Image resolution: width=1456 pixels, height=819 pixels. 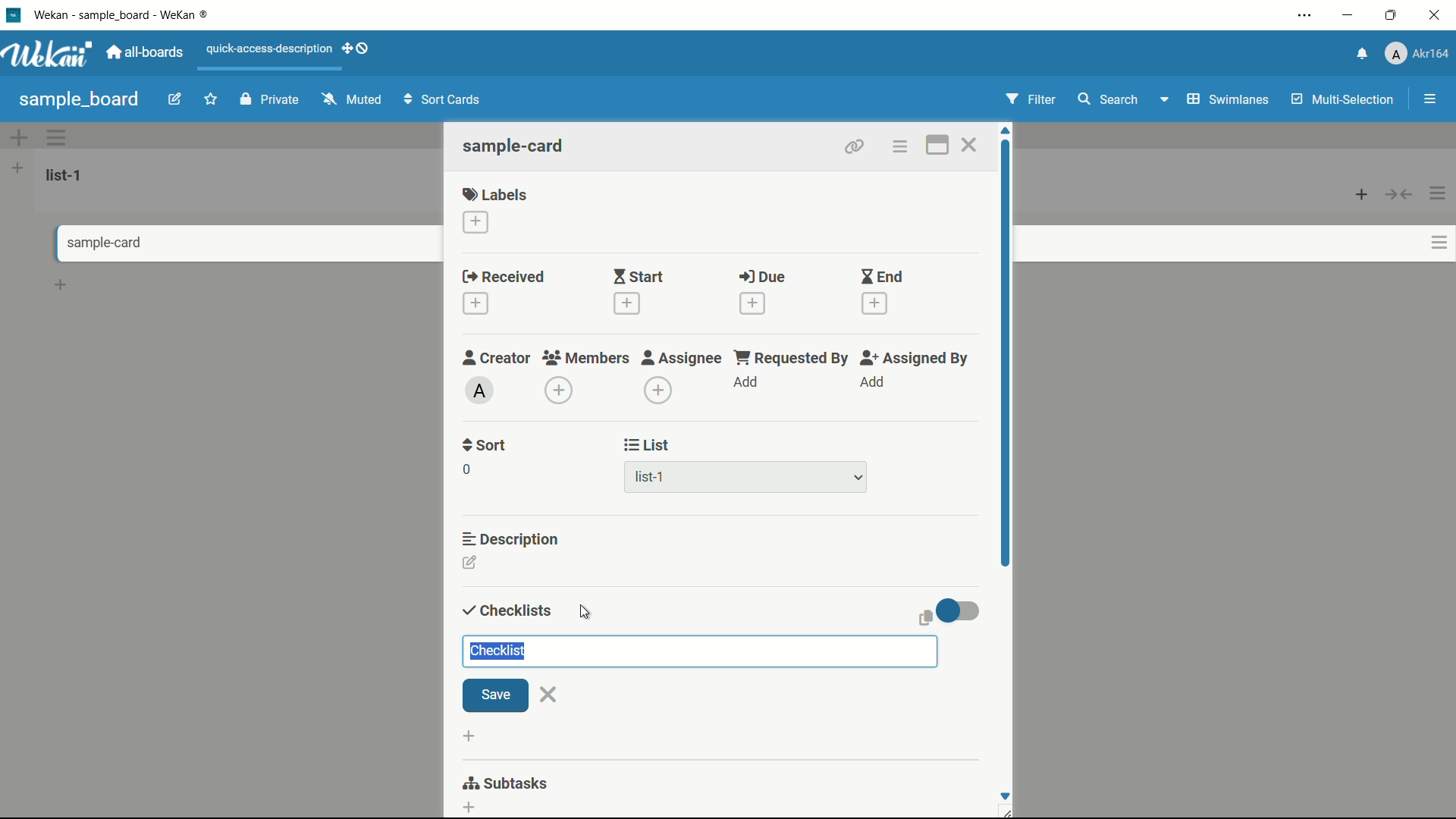 What do you see at coordinates (95, 243) in the screenshot?
I see `card name` at bounding box center [95, 243].